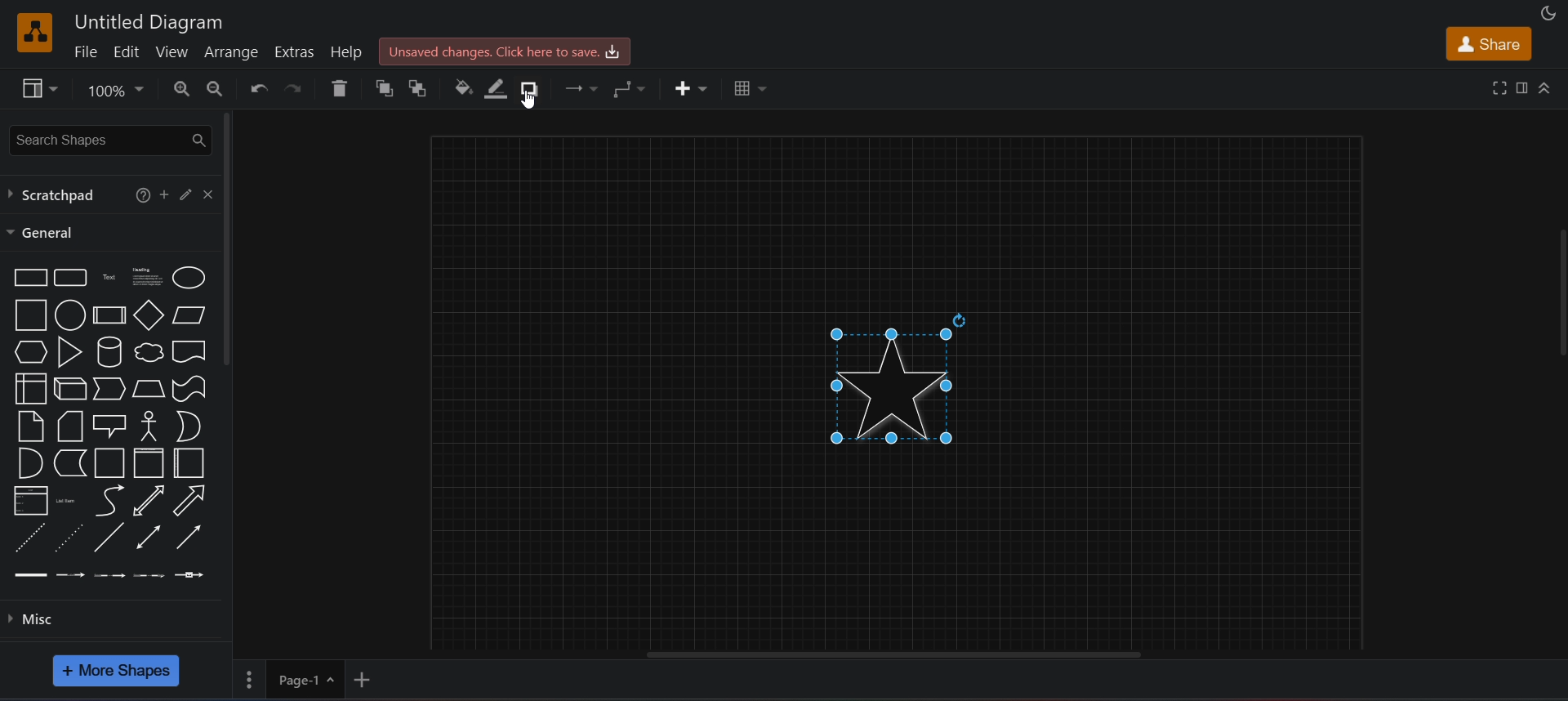  What do you see at coordinates (105, 138) in the screenshot?
I see `search shapes` at bounding box center [105, 138].